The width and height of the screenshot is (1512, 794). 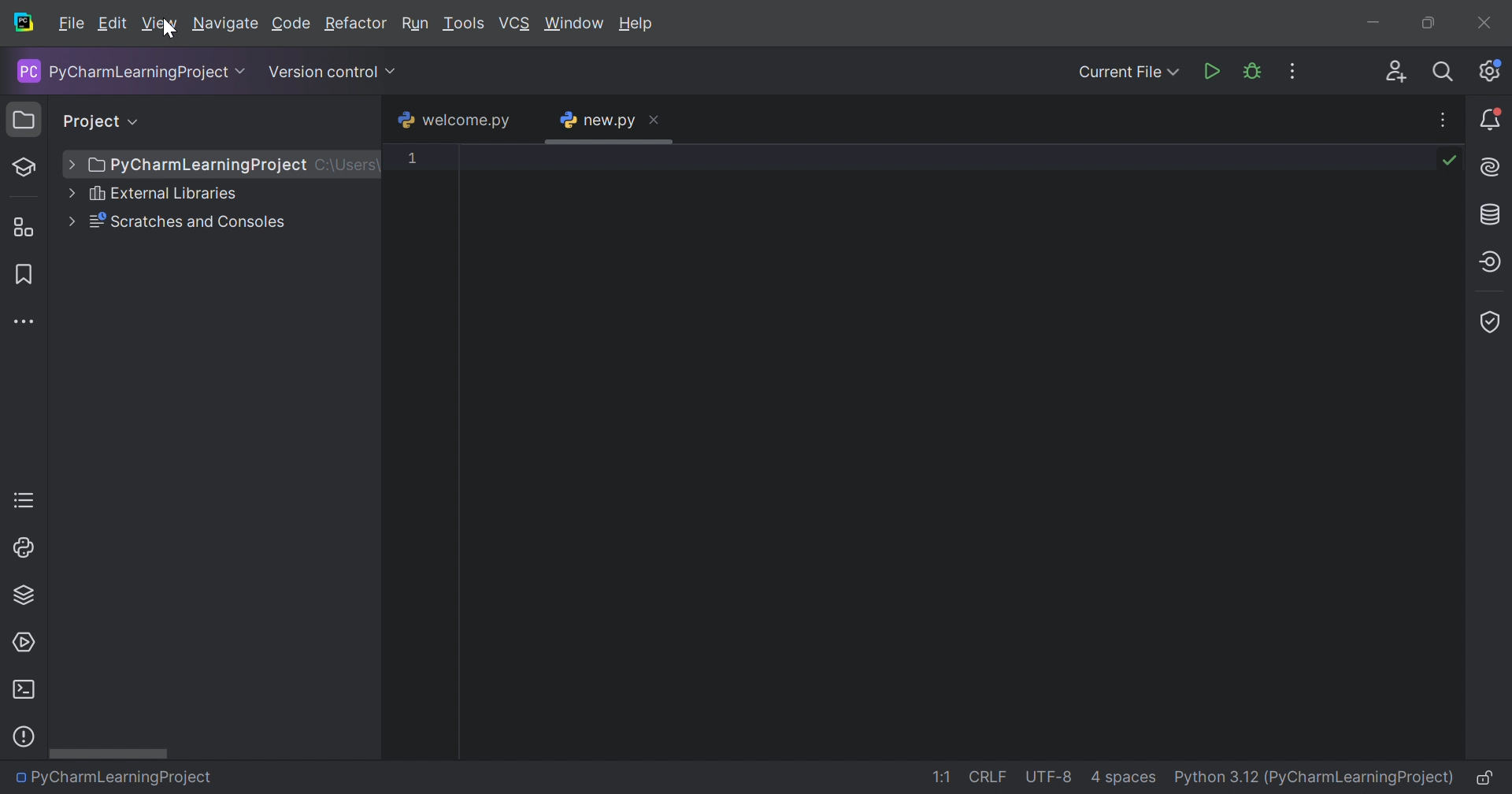 I want to click on Help, so click(x=638, y=24).